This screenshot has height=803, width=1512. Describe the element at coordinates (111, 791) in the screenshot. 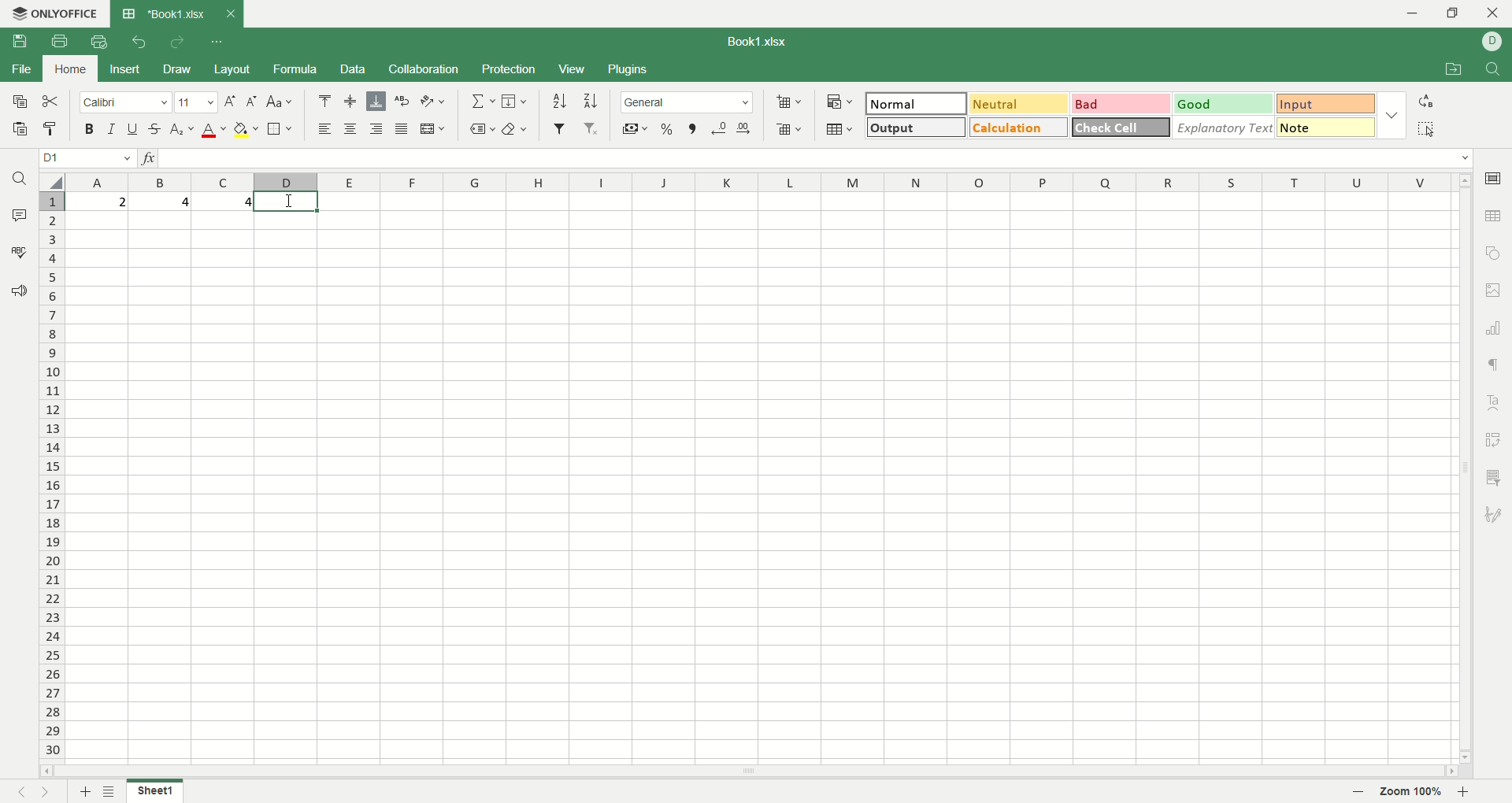

I see `sheet list` at that location.